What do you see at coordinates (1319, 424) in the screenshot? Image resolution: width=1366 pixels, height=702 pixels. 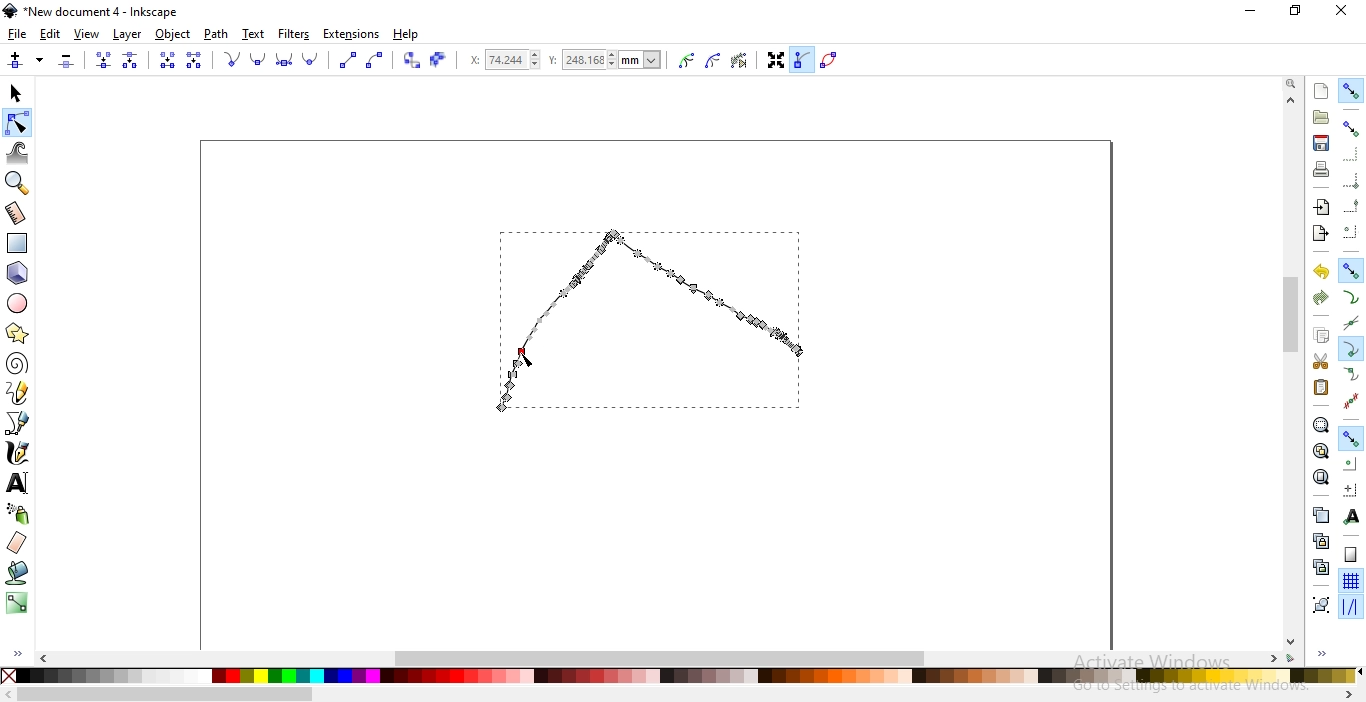 I see `zoom to fit selection` at bounding box center [1319, 424].